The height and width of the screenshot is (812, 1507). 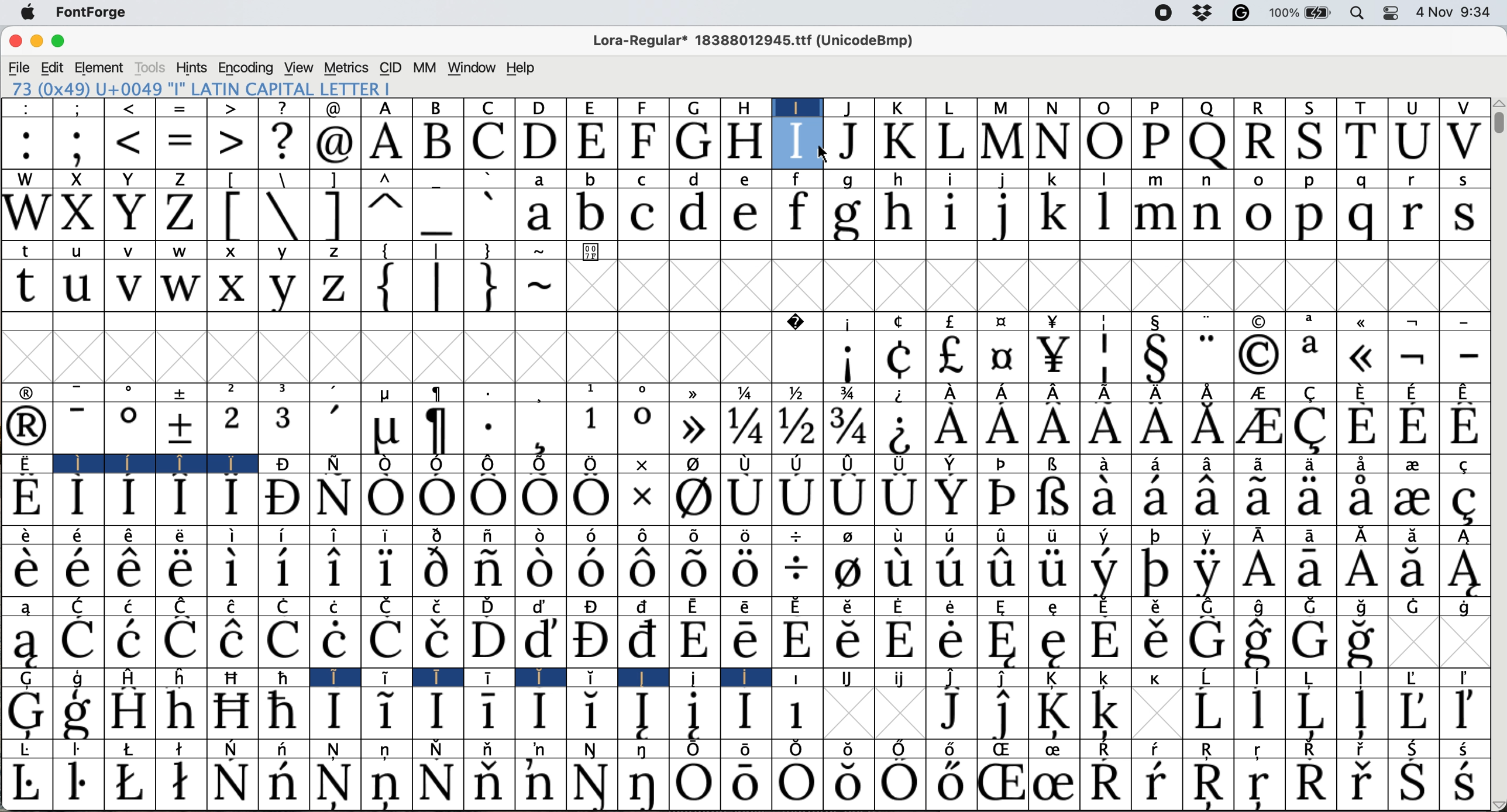 What do you see at coordinates (489, 641) in the screenshot?
I see `Symbol` at bounding box center [489, 641].